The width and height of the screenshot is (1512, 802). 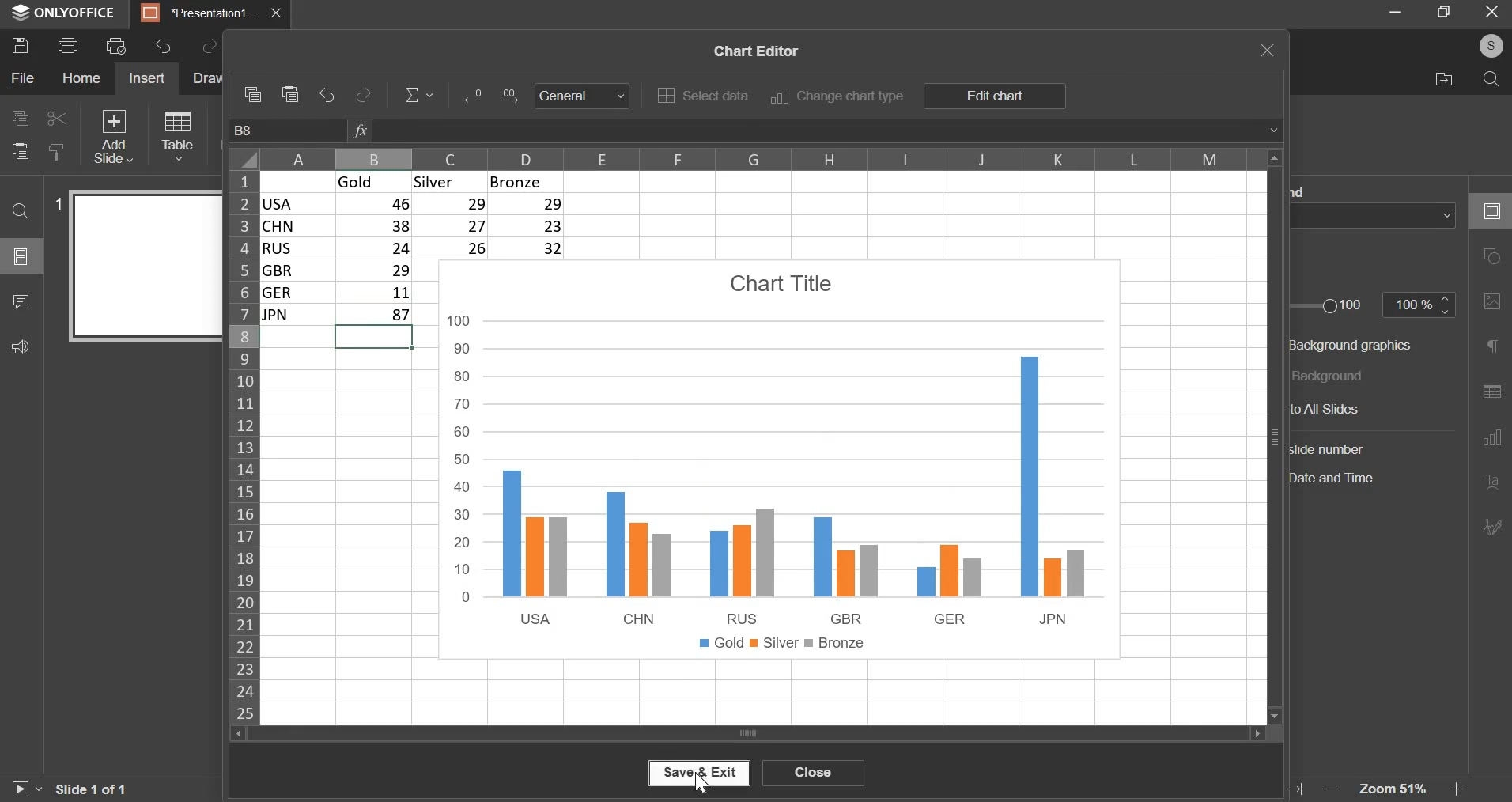 I want to click on selected cell, so click(x=374, y=336).